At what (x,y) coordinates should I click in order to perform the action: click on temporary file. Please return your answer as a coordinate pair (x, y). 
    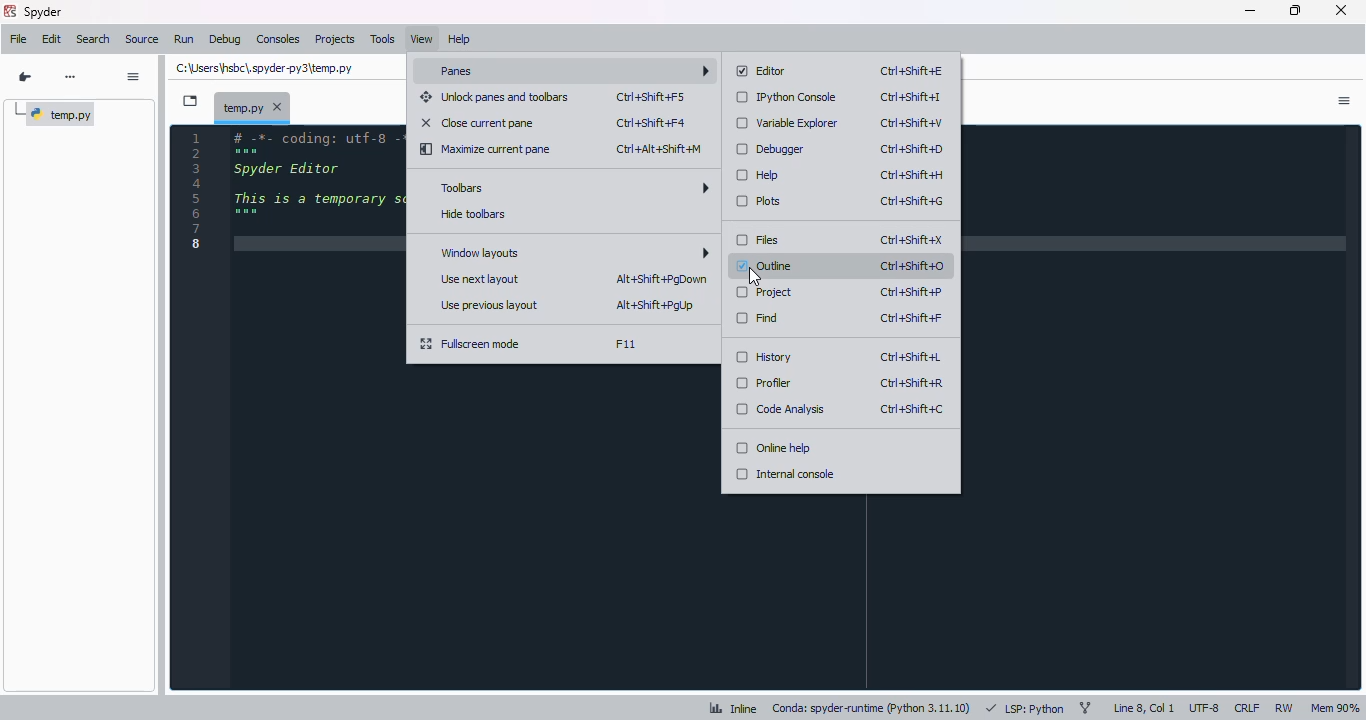
    Looking at the image, I should click on (264, 69).